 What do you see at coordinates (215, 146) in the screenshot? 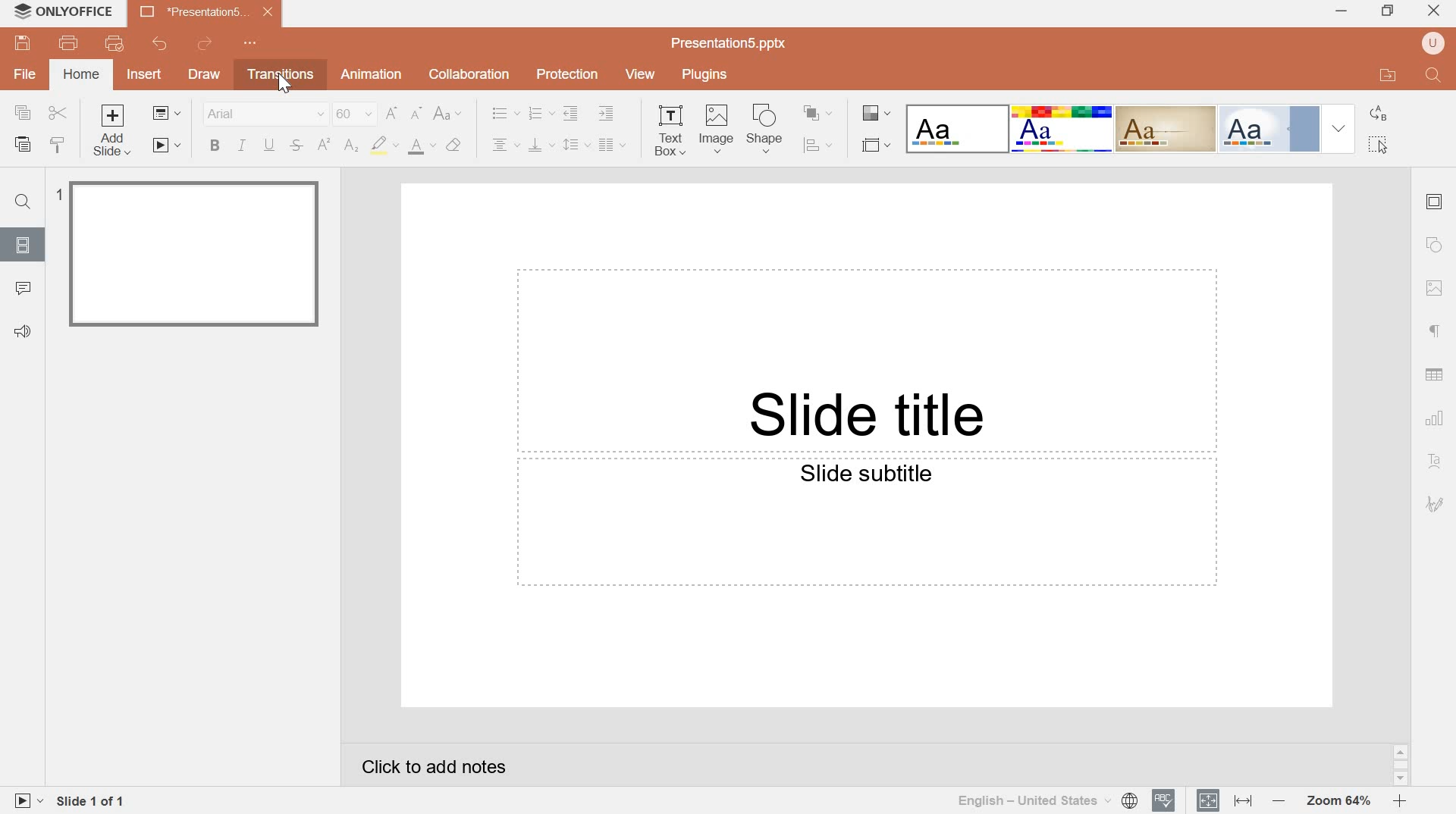
I see `Bold` at bounding box center [215, 146].